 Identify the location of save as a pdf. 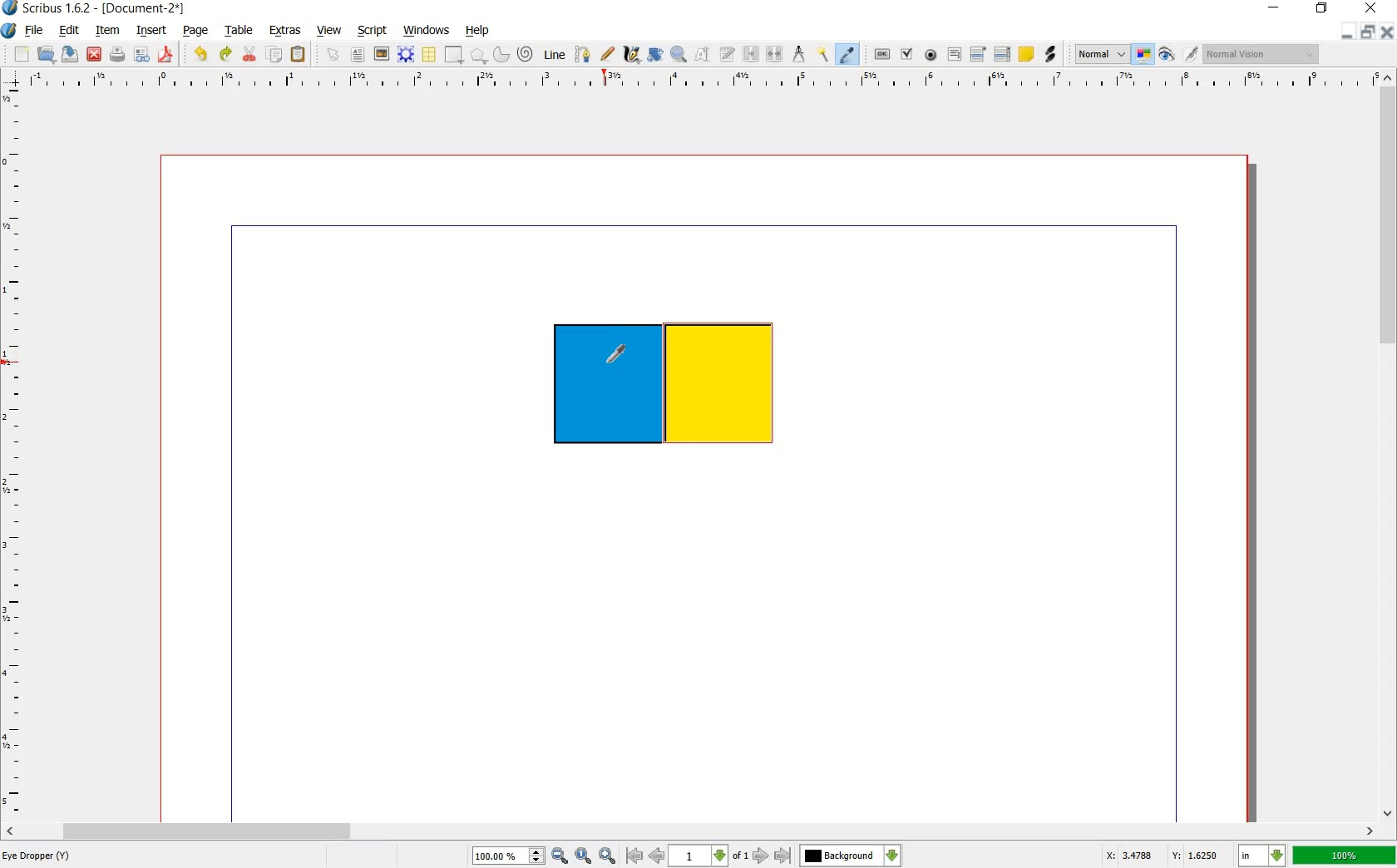
(165, 55).